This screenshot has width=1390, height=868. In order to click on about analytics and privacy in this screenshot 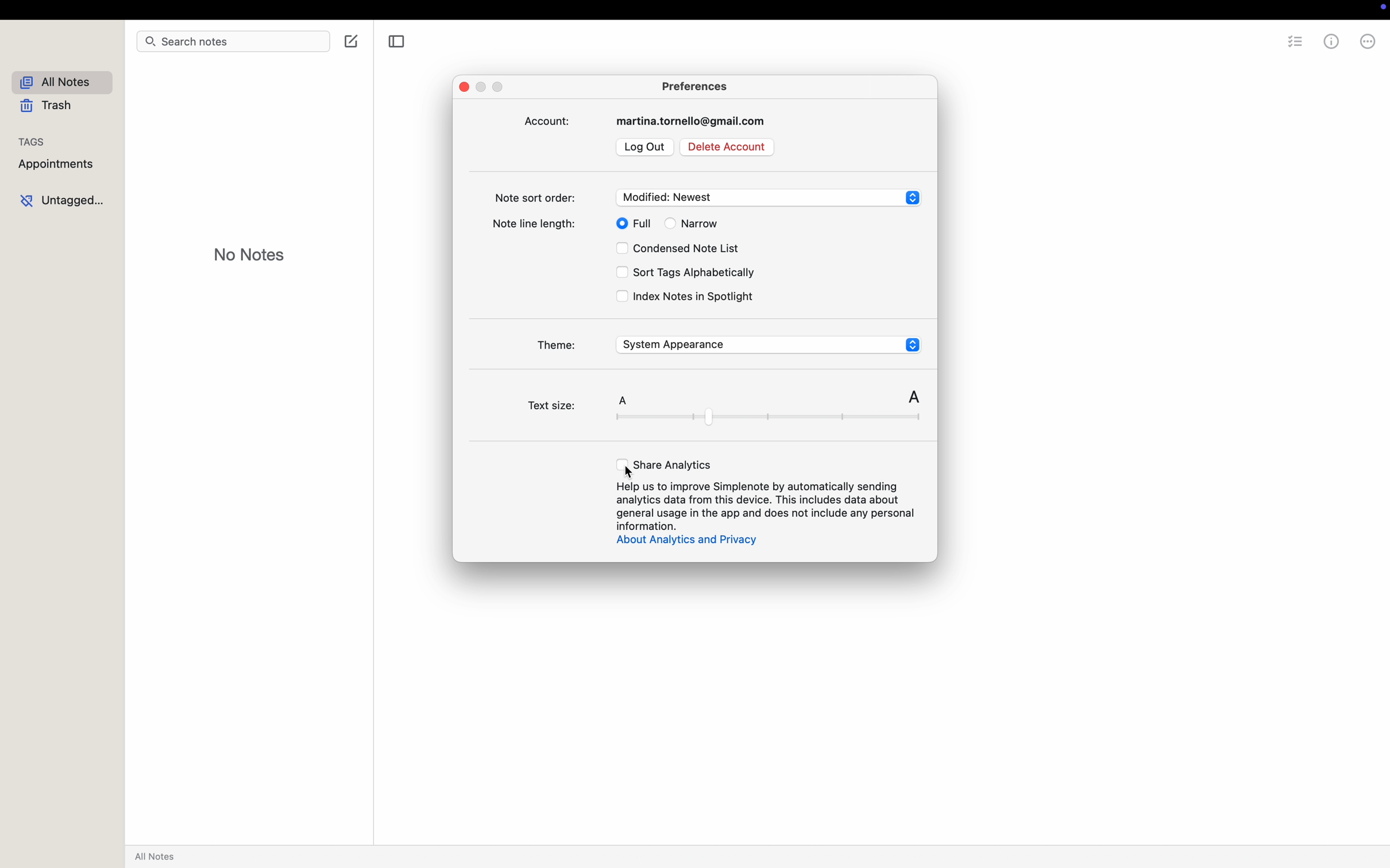, I will do `click(686, 542)`.